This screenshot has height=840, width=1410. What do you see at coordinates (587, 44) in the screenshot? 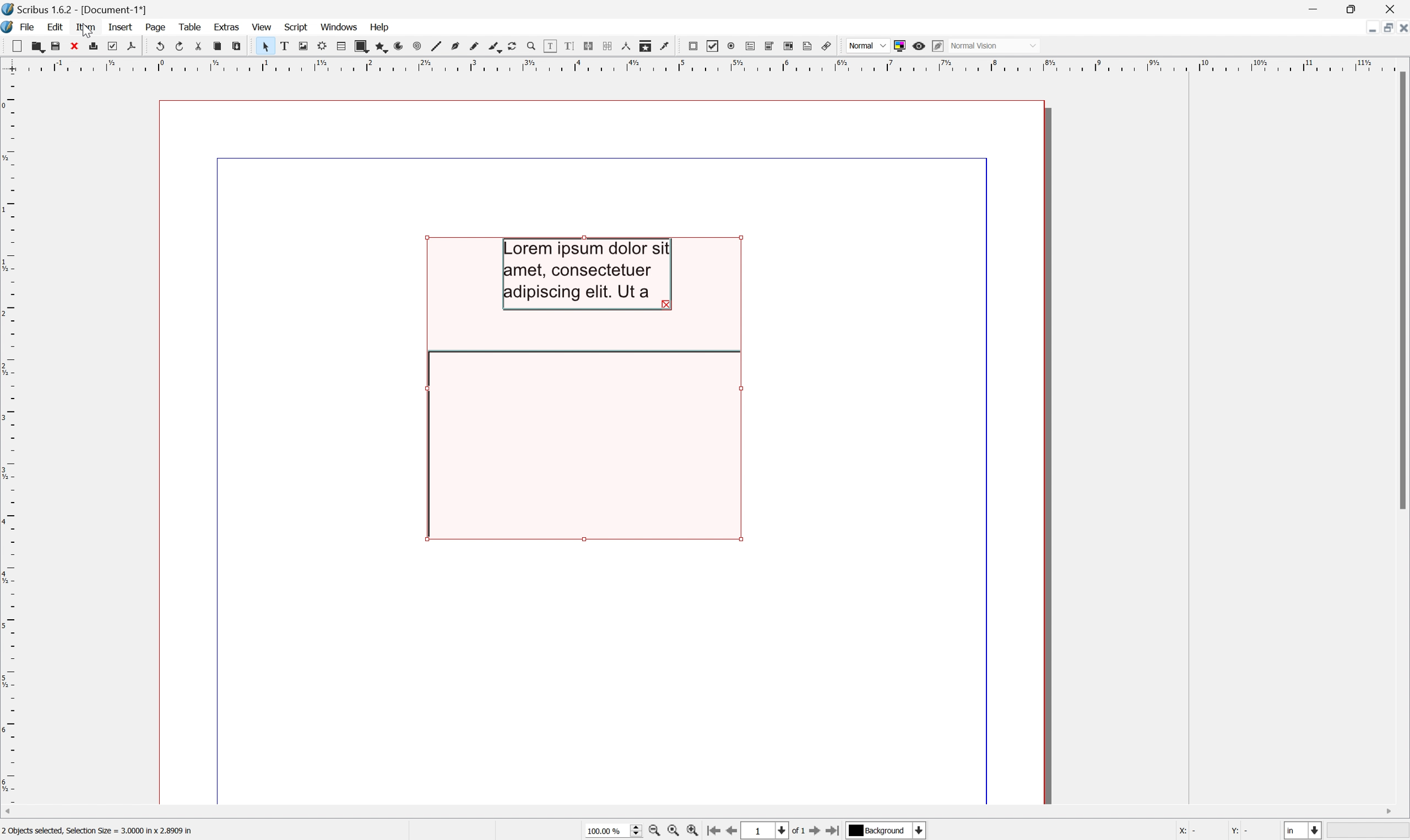
I see `Link text frames` at bounding box center [587, 44].